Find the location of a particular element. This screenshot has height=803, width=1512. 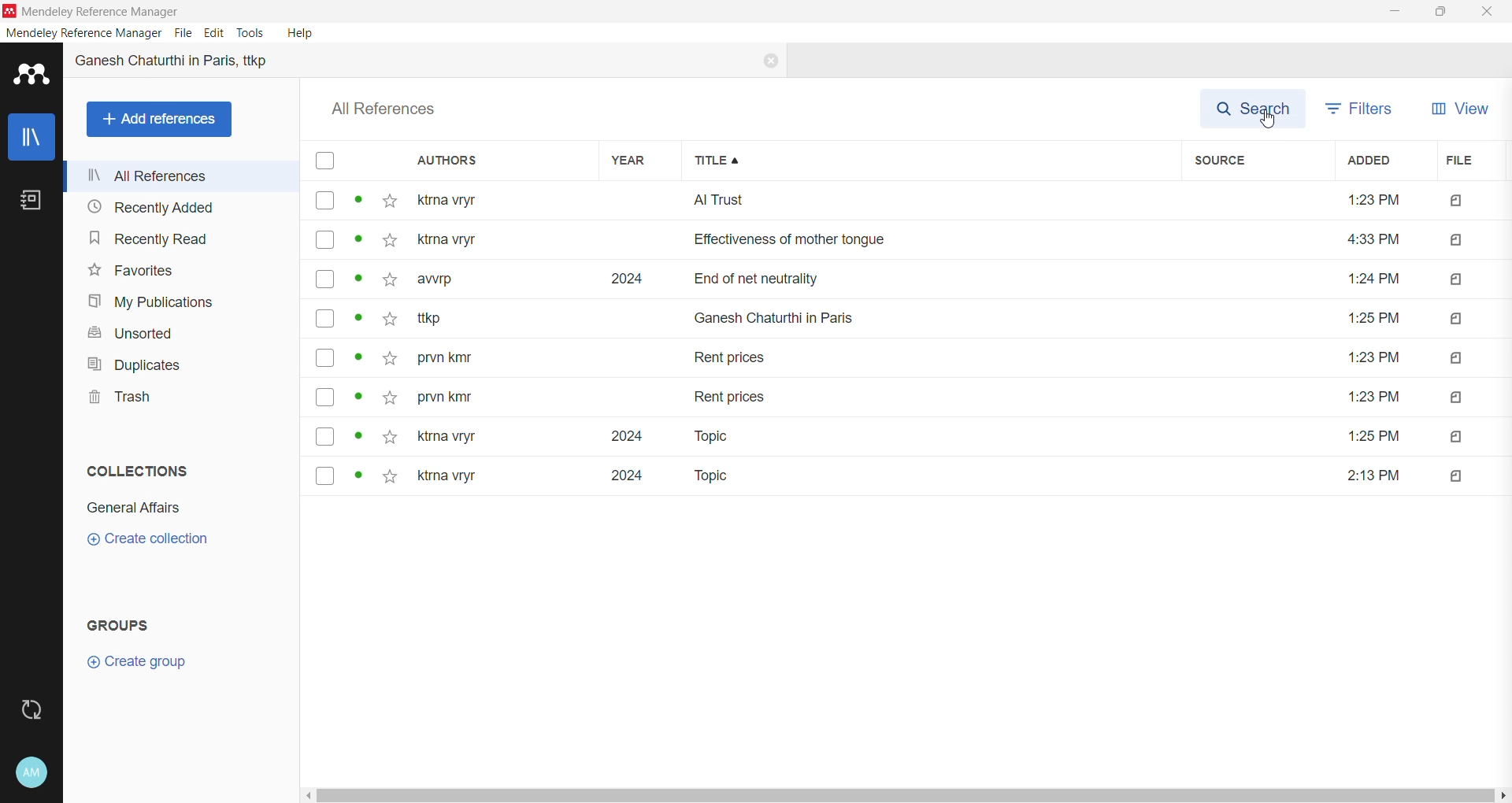

add to favorites is located at coordinates (389, 397).